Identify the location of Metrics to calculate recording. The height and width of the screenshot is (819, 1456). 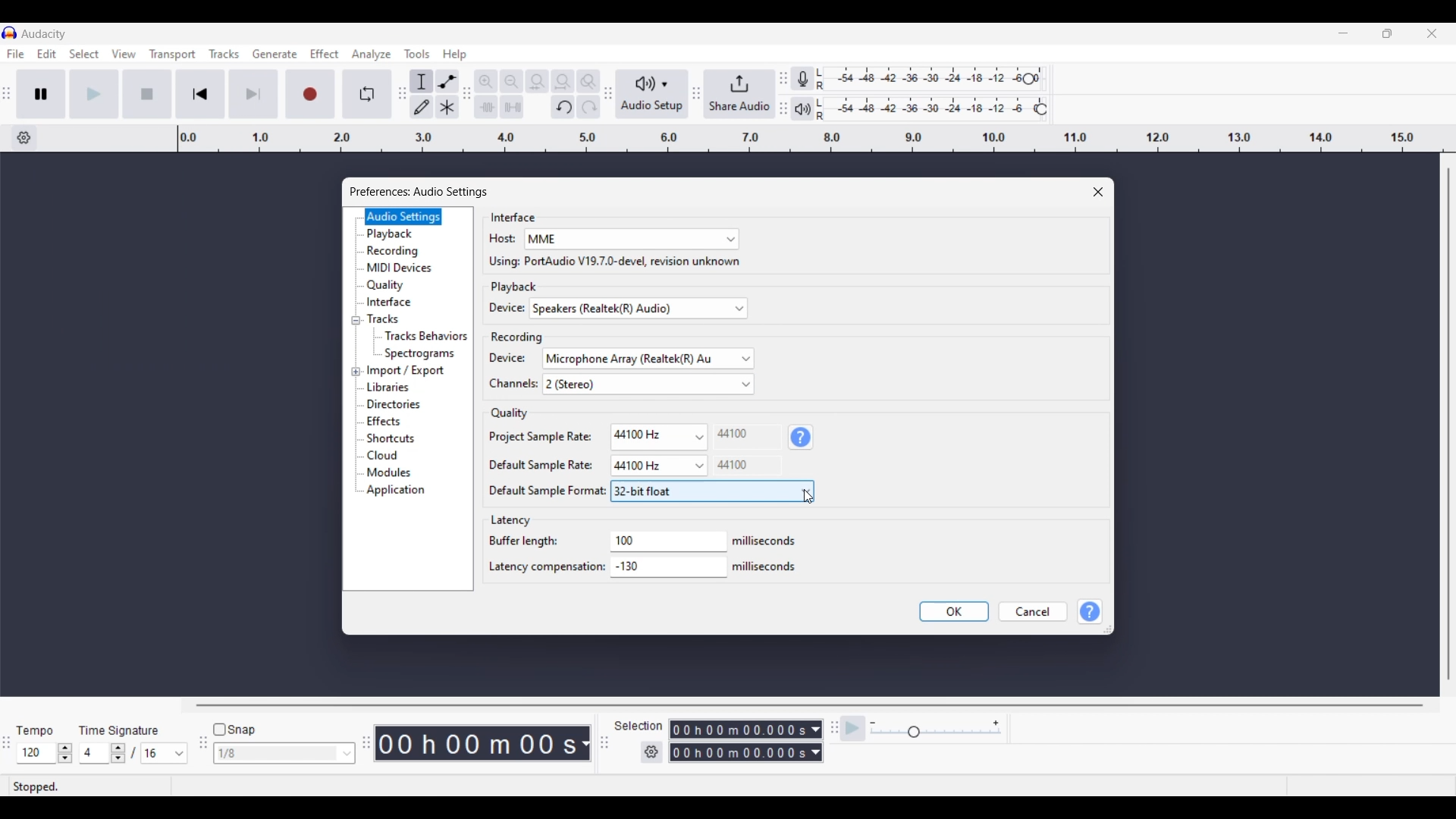
(585, 743).